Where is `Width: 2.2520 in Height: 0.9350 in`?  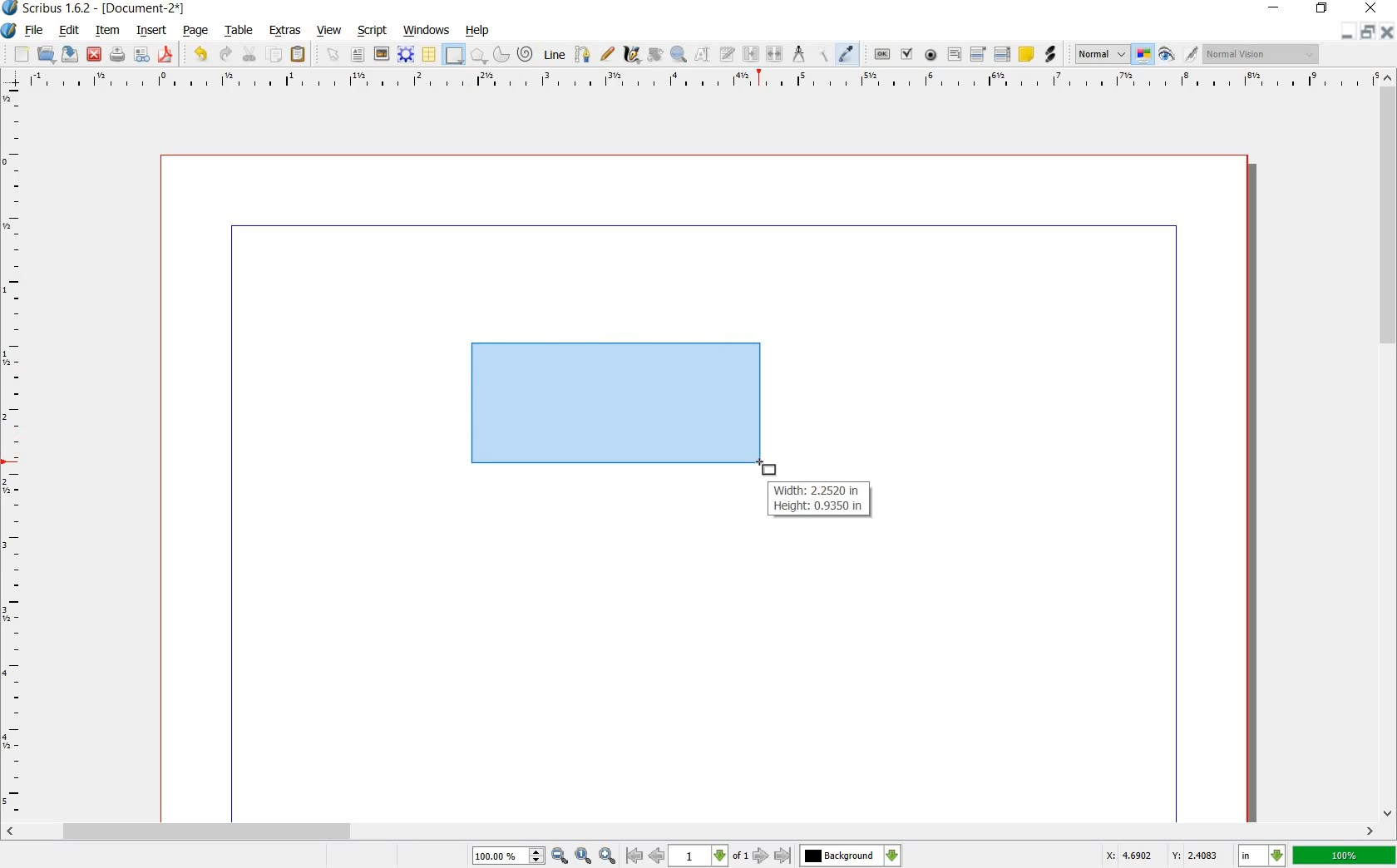 Width: 2.2520 in Height: 0.9350 in is located at coordinates (817, 500).